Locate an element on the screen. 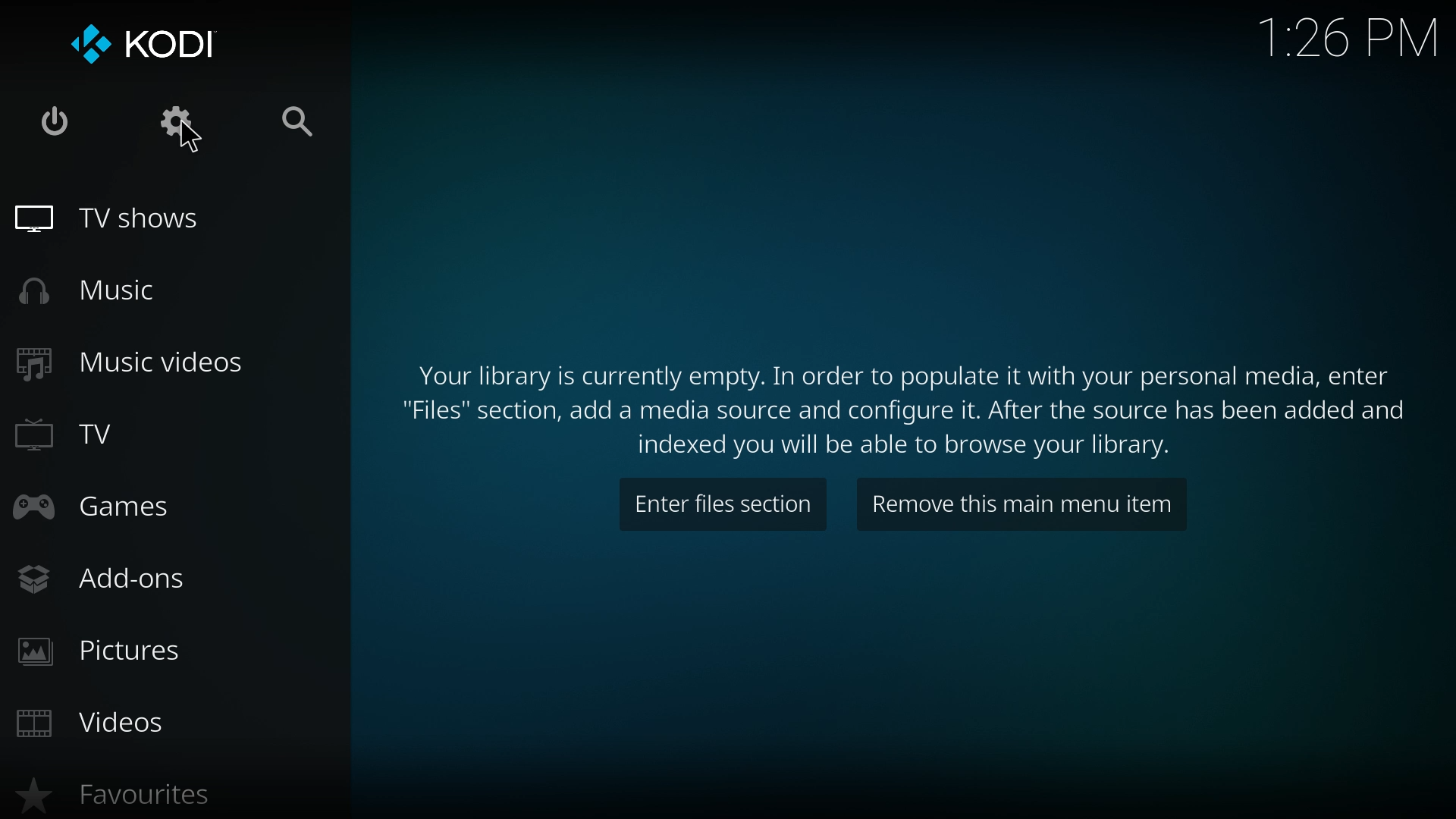 Image resolution: width=1456 pixels, height=819 pixels. enter files section is located at coordinates (722, 504).